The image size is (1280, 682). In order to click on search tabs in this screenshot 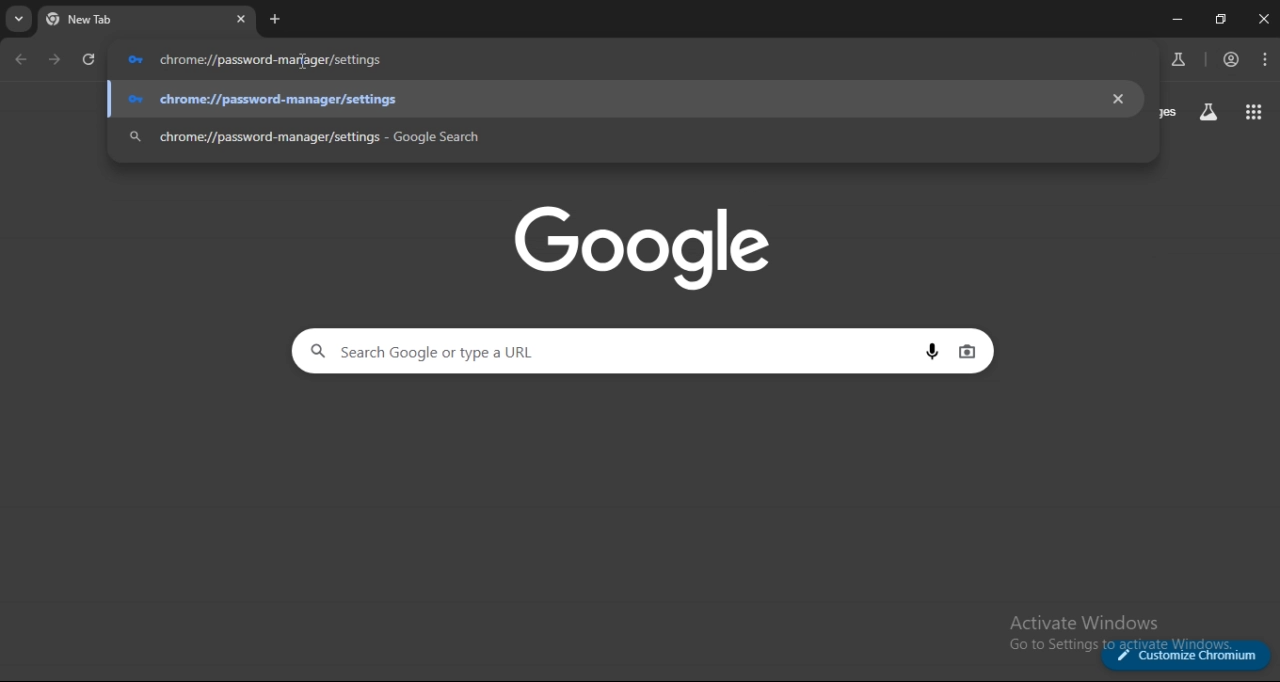, I will do `click(20, 19)`.